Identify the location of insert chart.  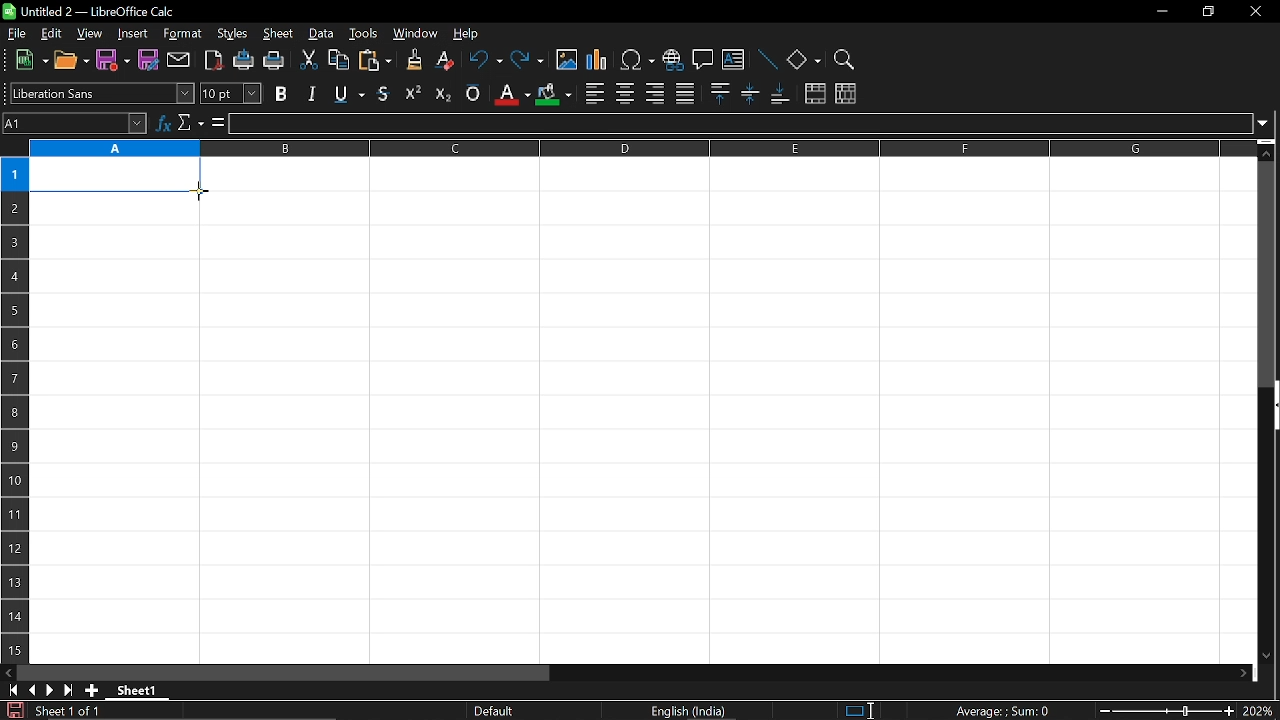
(598, 61).